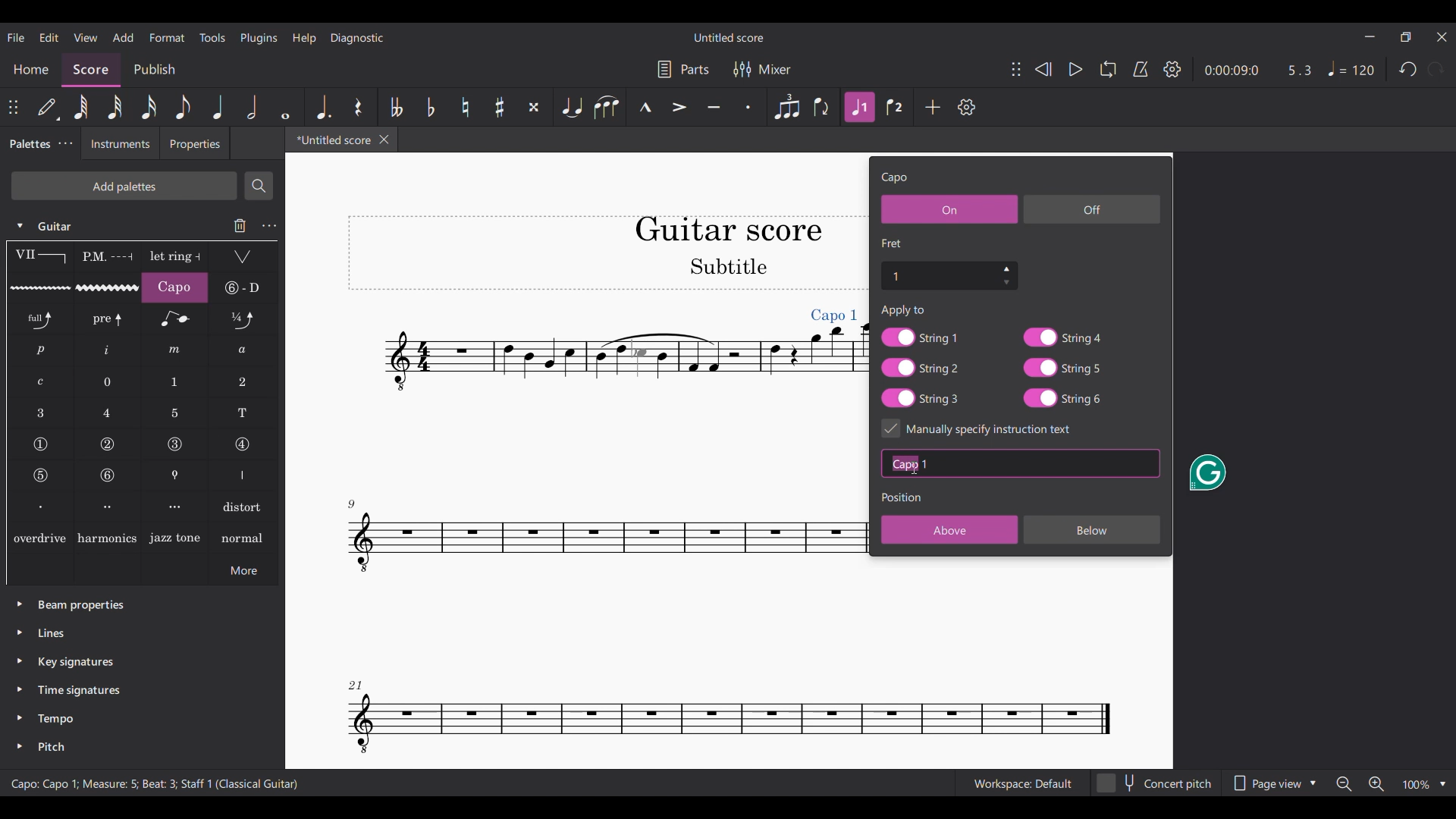 This screenshot has width=1456, height=819. Describe the element at coordinates (40, 413) in the screenshot. I see `LH guitar fingering 3` at that location.